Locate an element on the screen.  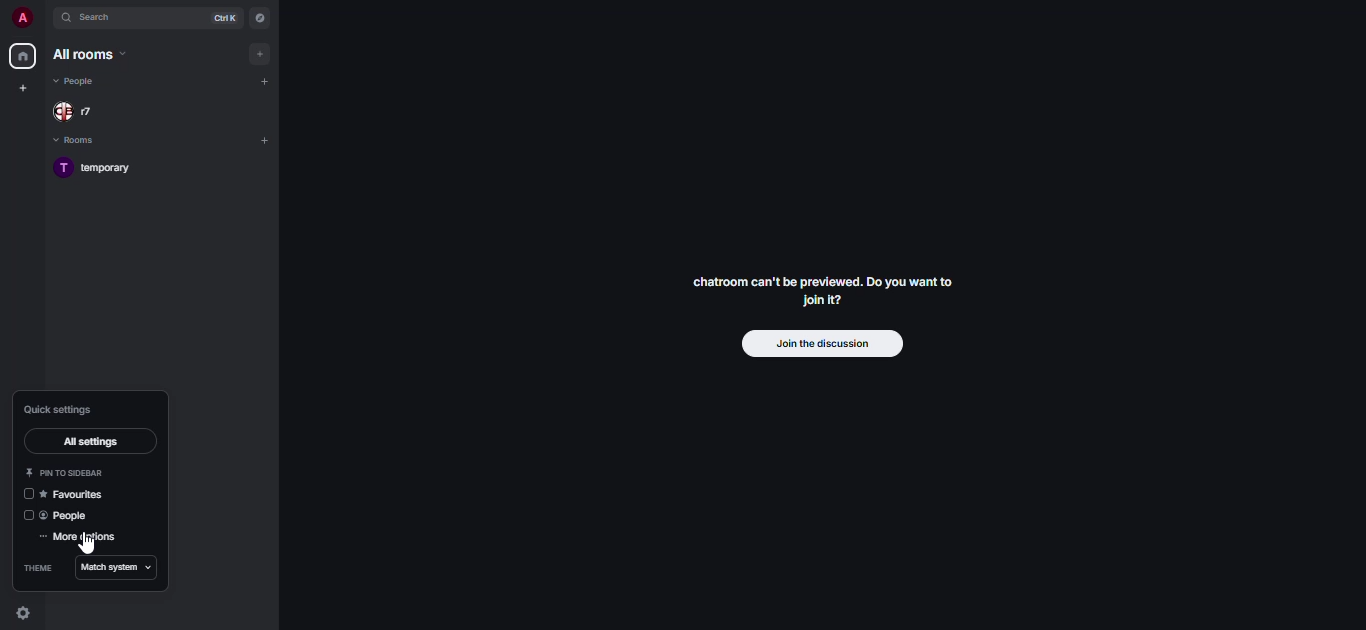
pin to sidebar is located at coordinates (68, 473).